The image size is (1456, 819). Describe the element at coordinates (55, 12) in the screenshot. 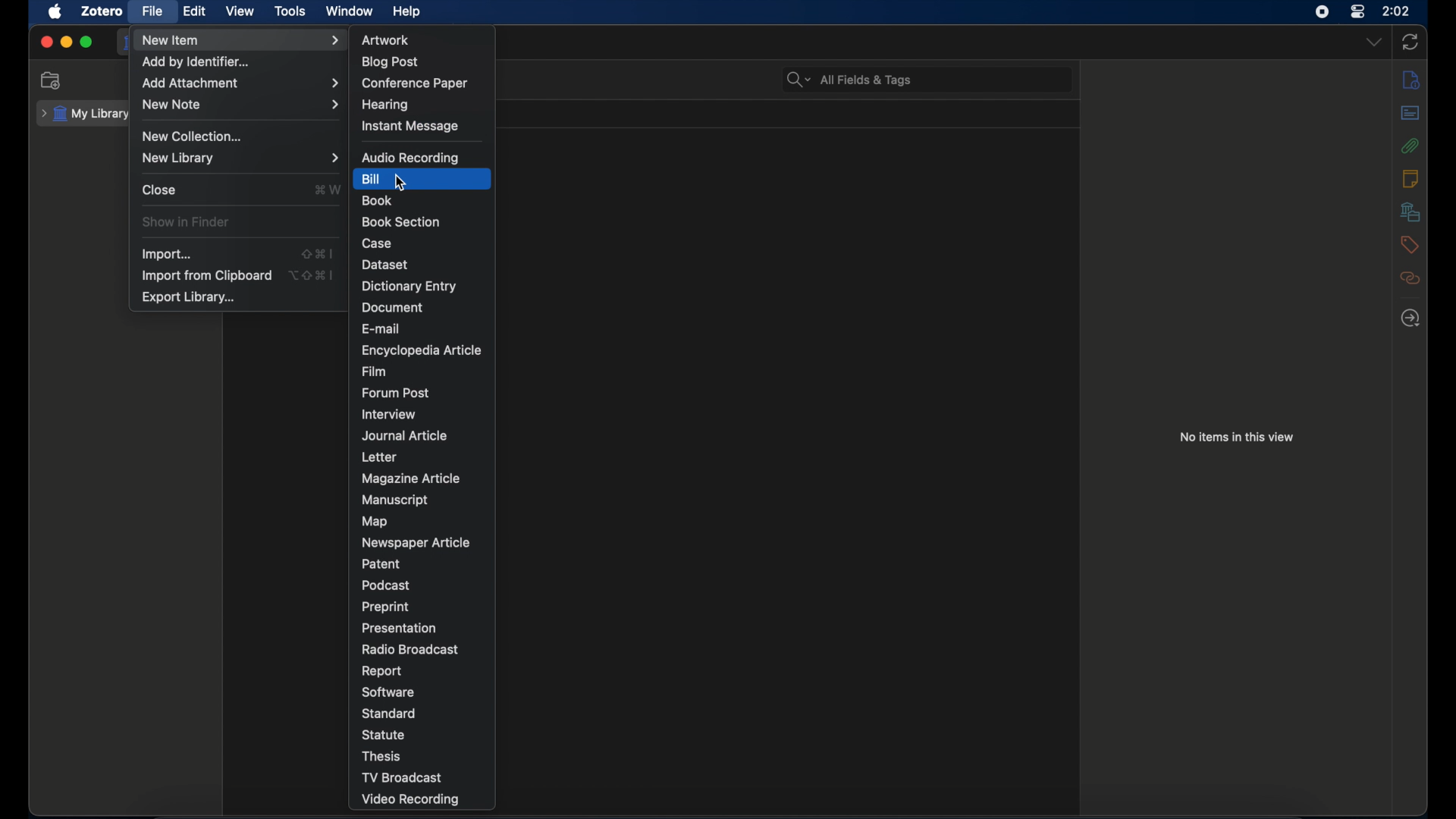

I see `apple` at that location.